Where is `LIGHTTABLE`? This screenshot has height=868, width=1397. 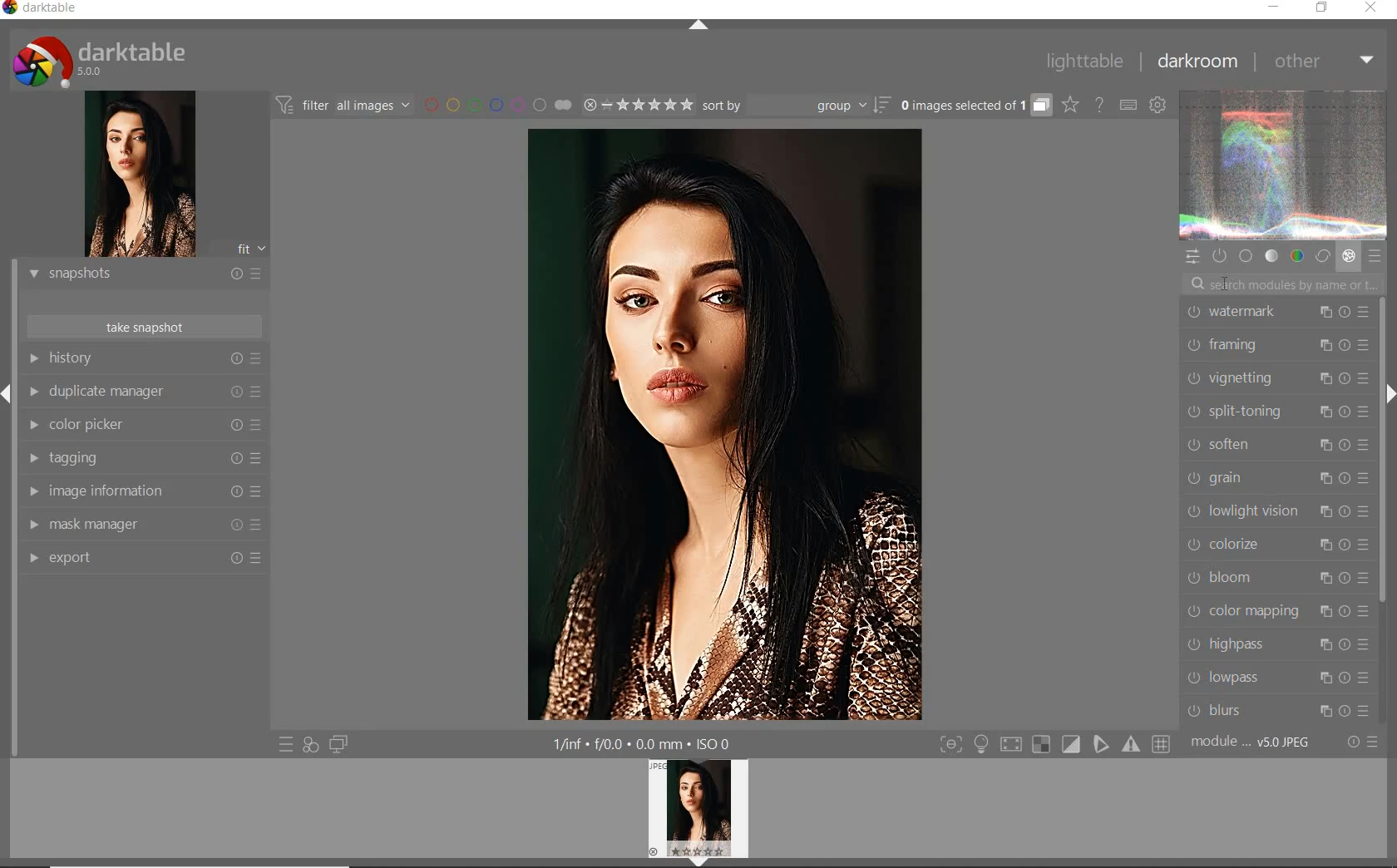
LIGHTTABLE is located at coordinates (1083, 62).